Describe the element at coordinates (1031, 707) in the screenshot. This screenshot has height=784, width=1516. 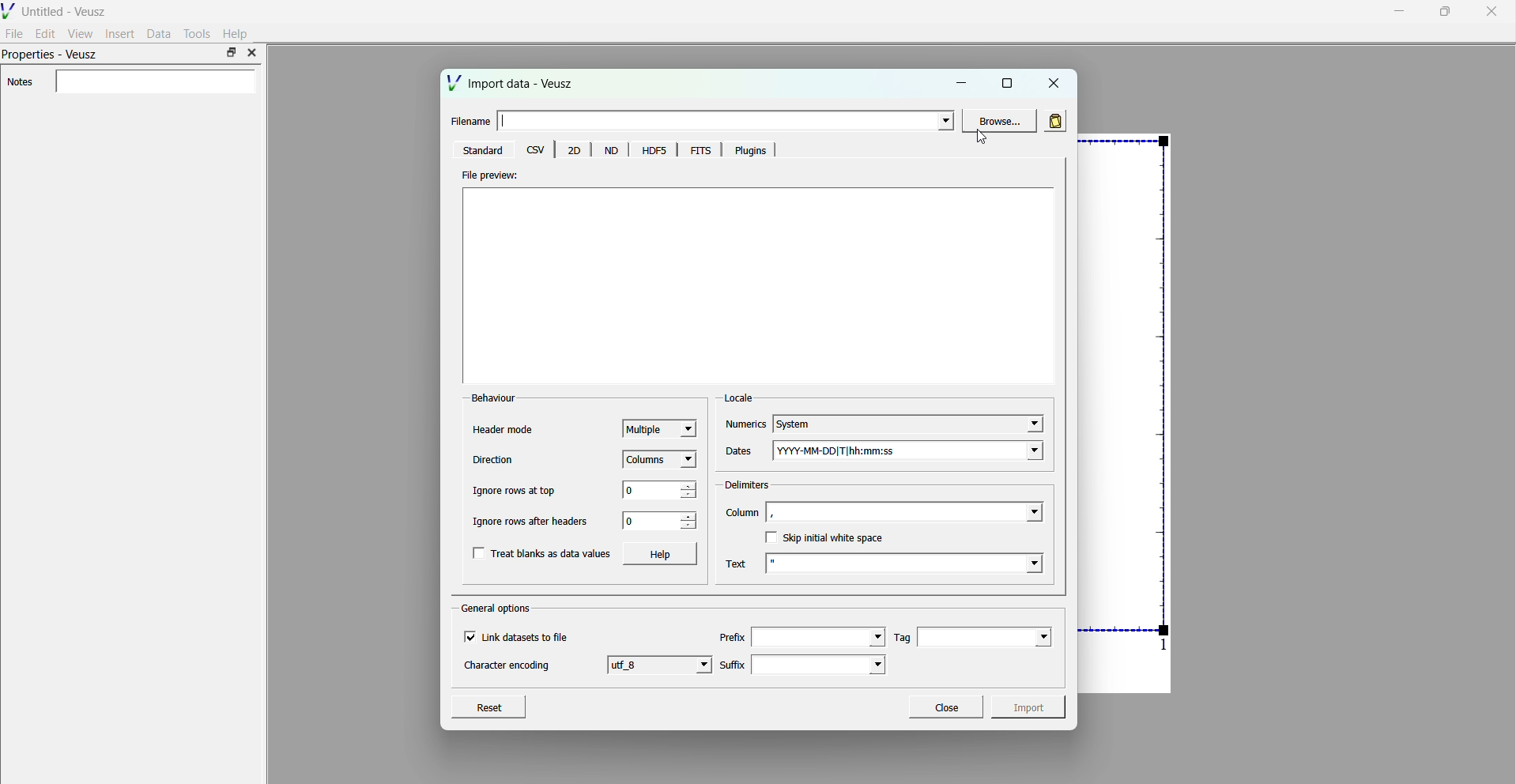
I see `Import` at that location.